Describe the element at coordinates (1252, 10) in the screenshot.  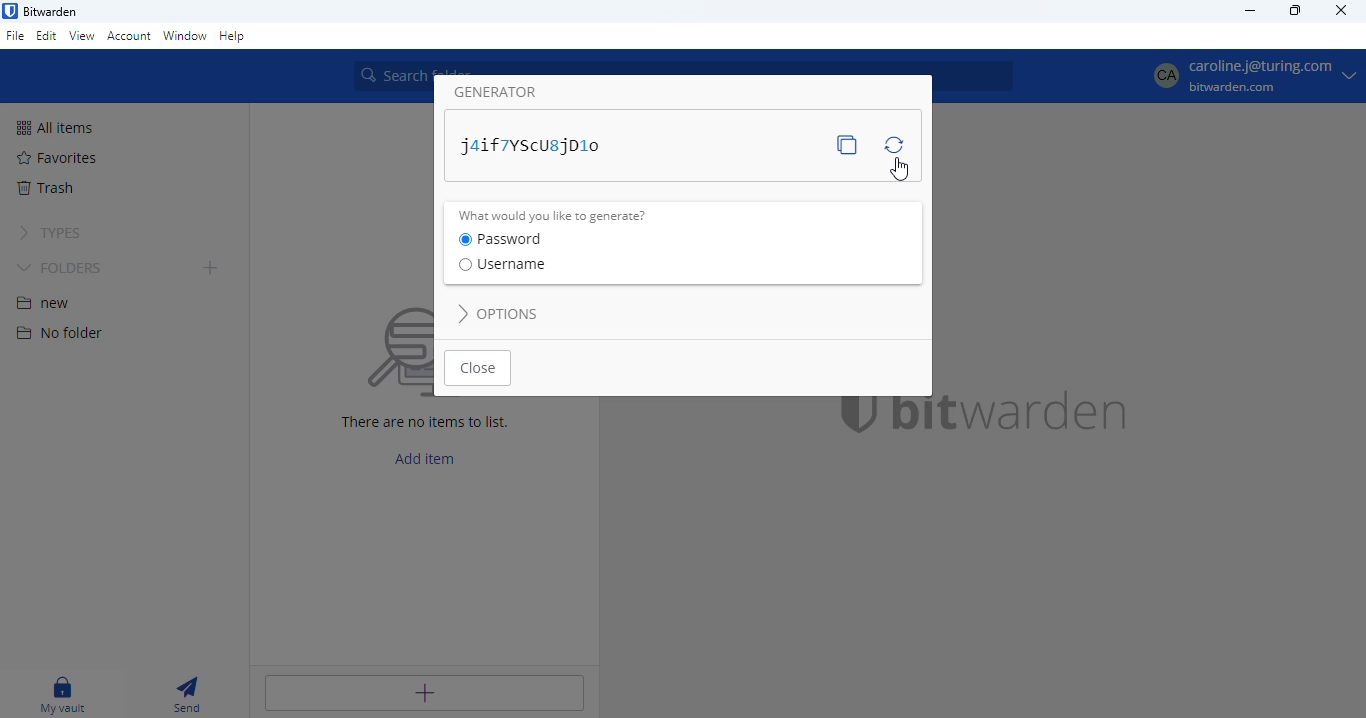
I see `minimize` at that location.